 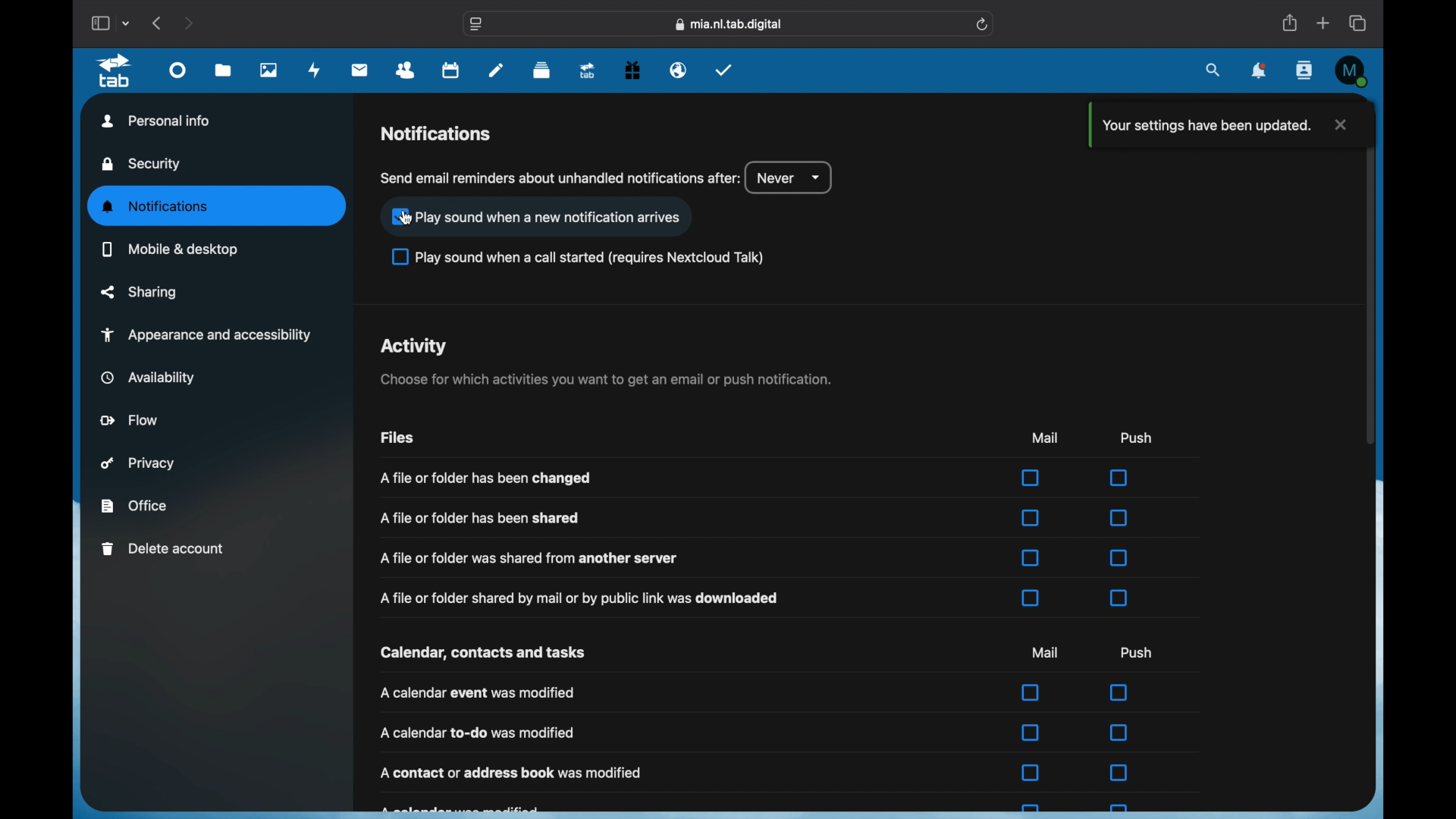 I want to click on checkbox, so click(x=1031, y=809).